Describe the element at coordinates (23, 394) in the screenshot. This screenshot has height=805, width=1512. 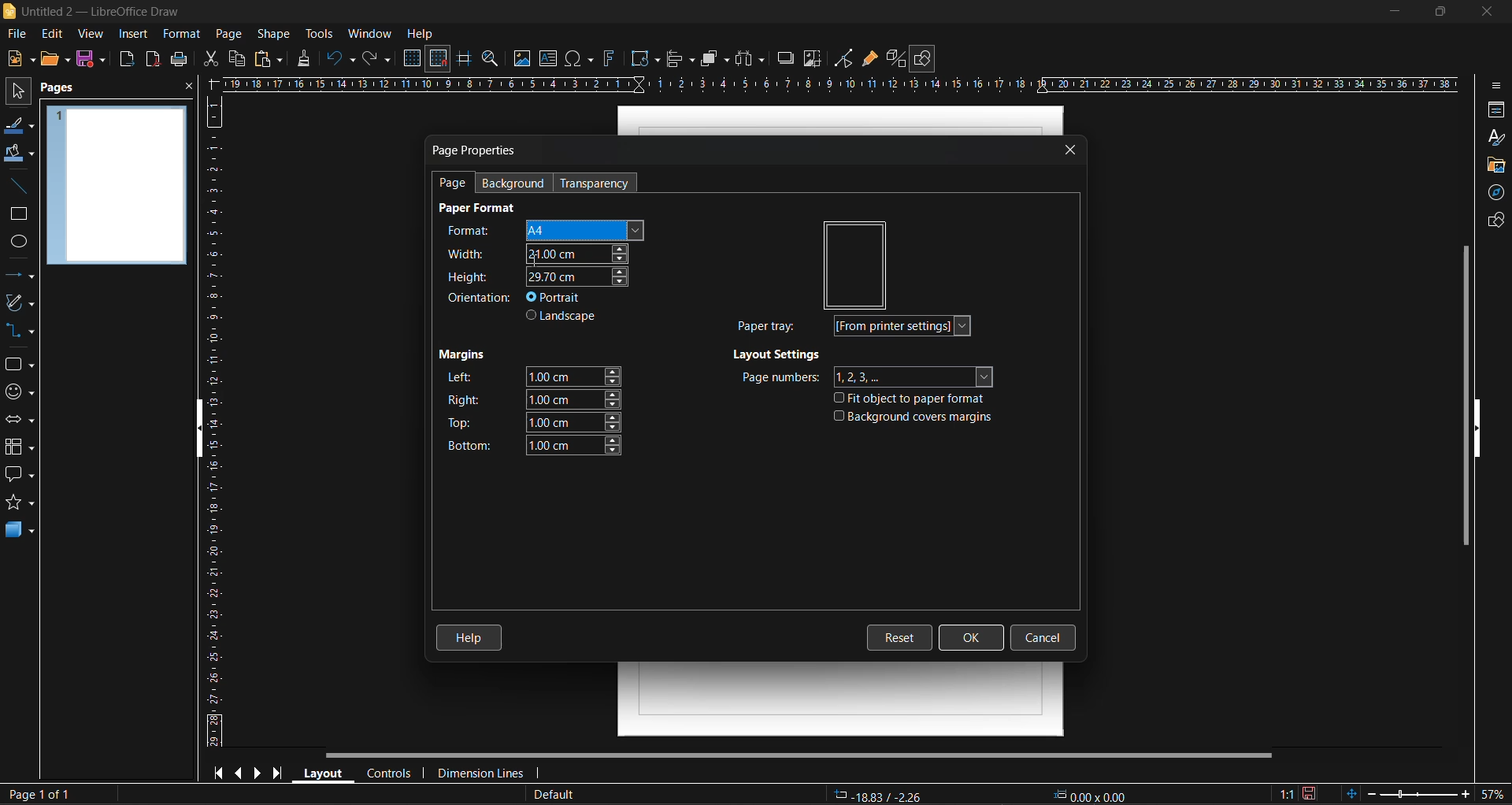
I see `symbol shapes` at that location.